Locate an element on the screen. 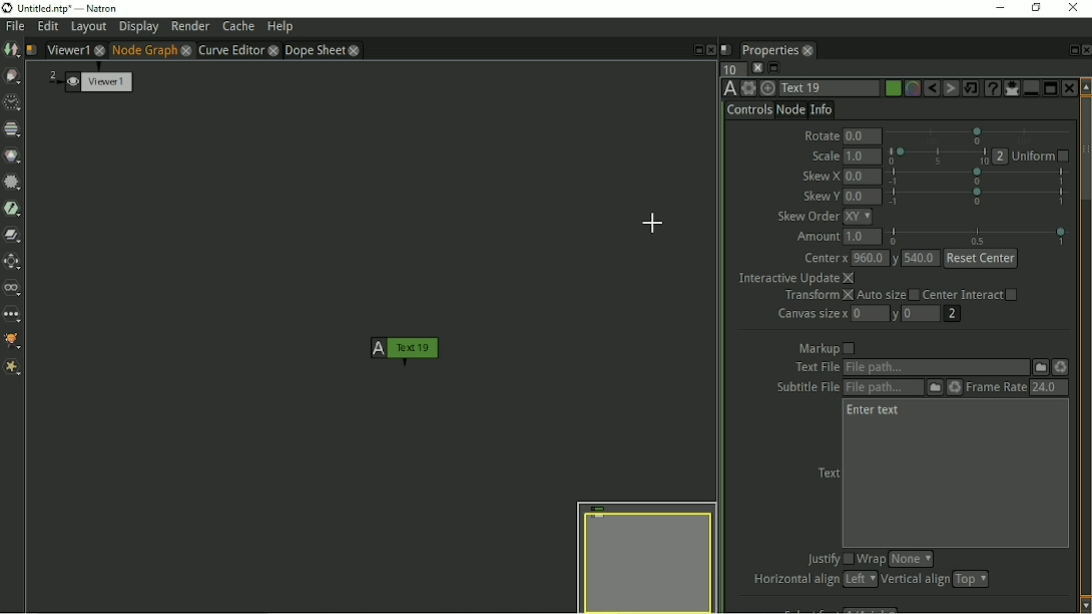  0.0 is located at coordinates (863, 196).